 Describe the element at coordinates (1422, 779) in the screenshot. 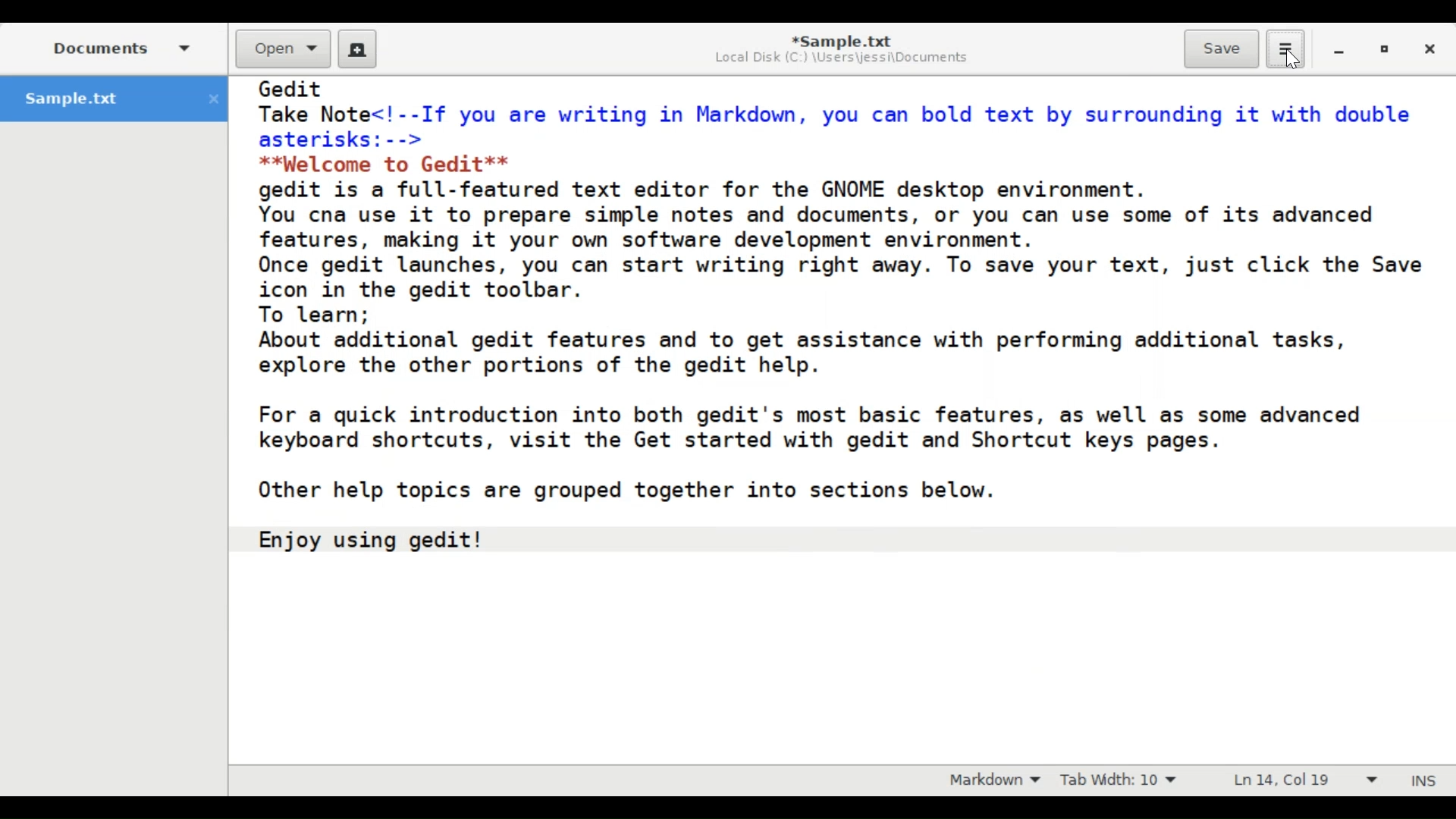

I see `INS` at that location.